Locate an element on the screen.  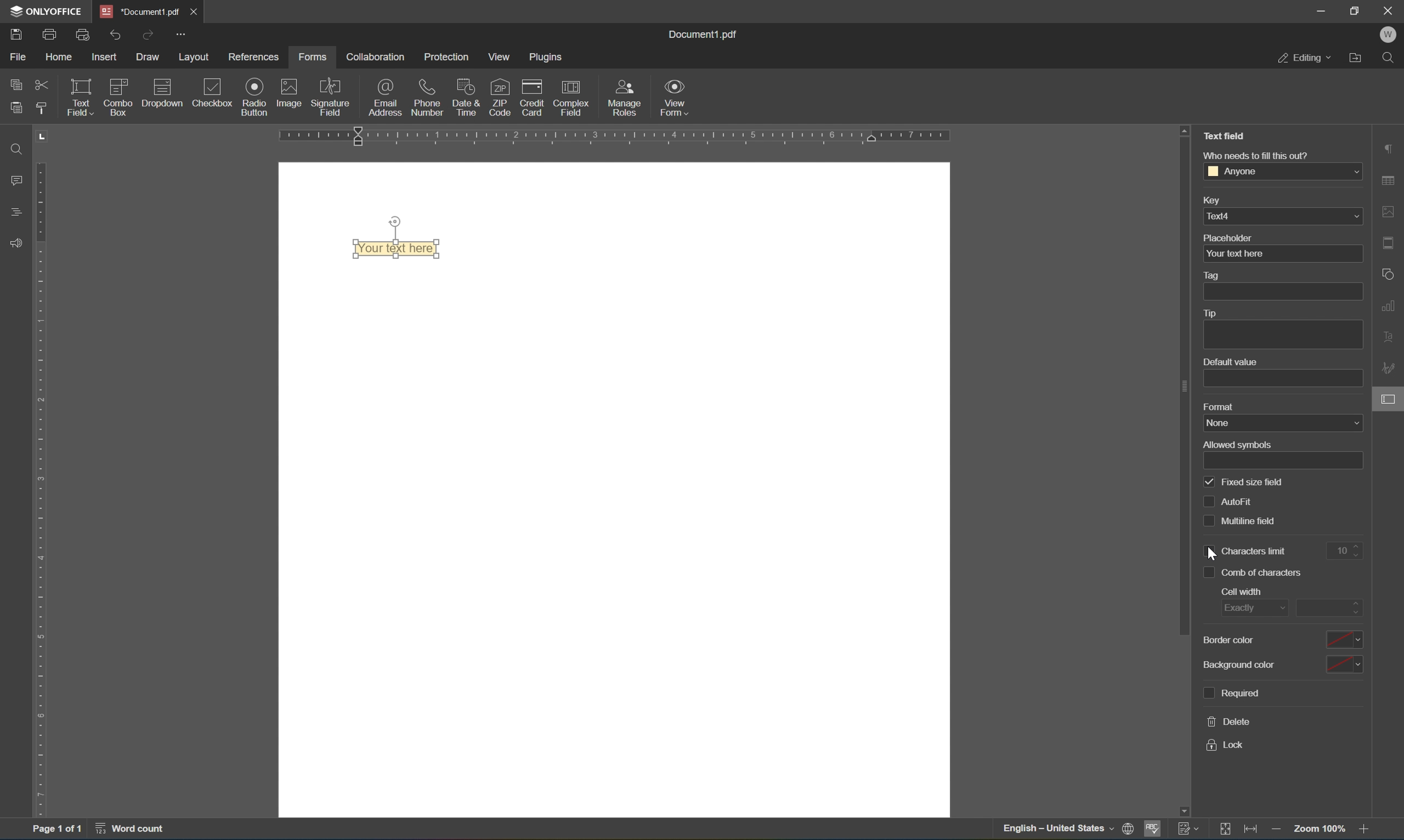
autofit is located at coordinates (1238, 502).